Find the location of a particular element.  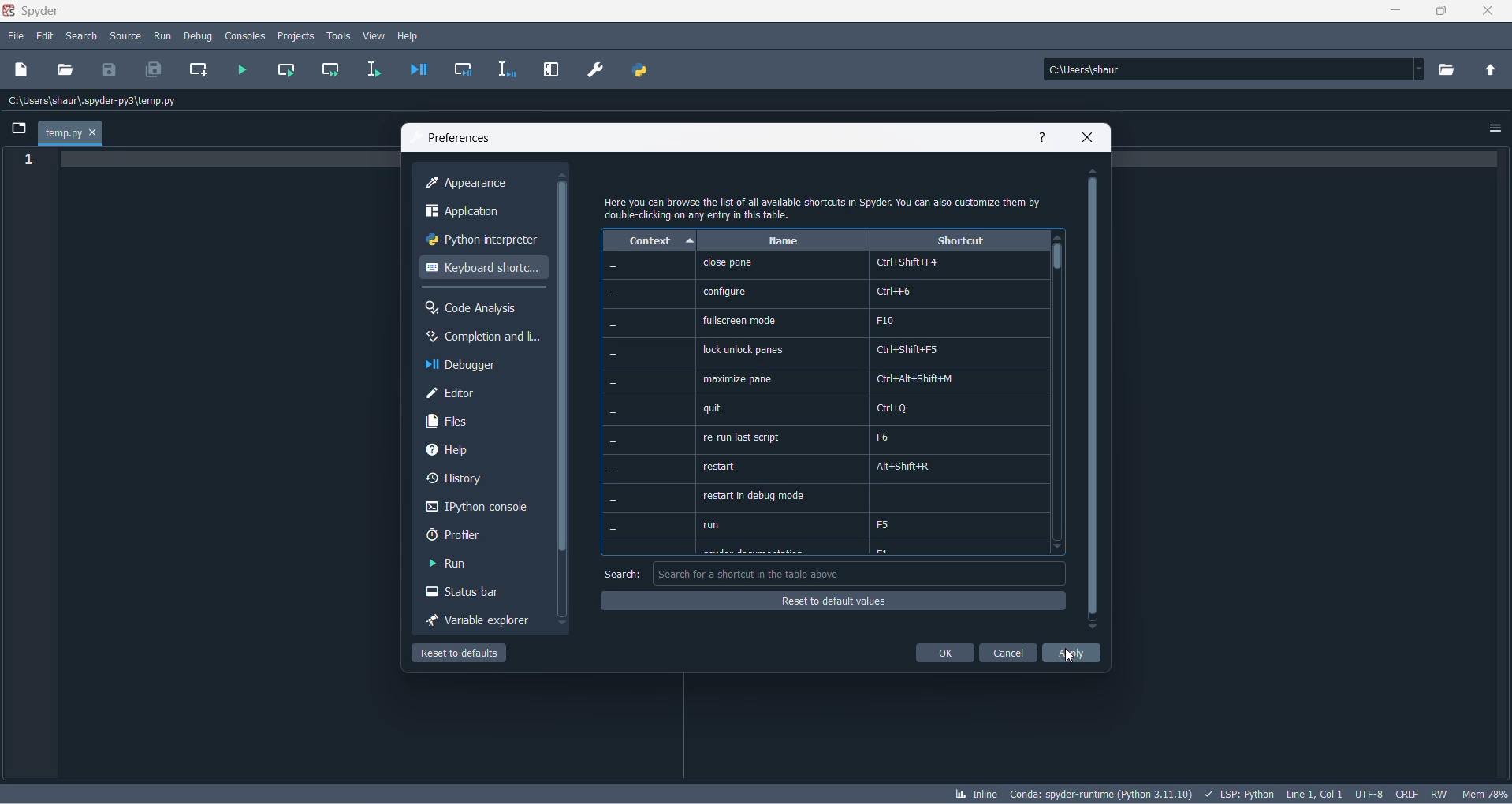

projects is located at coordinates (296, 35).